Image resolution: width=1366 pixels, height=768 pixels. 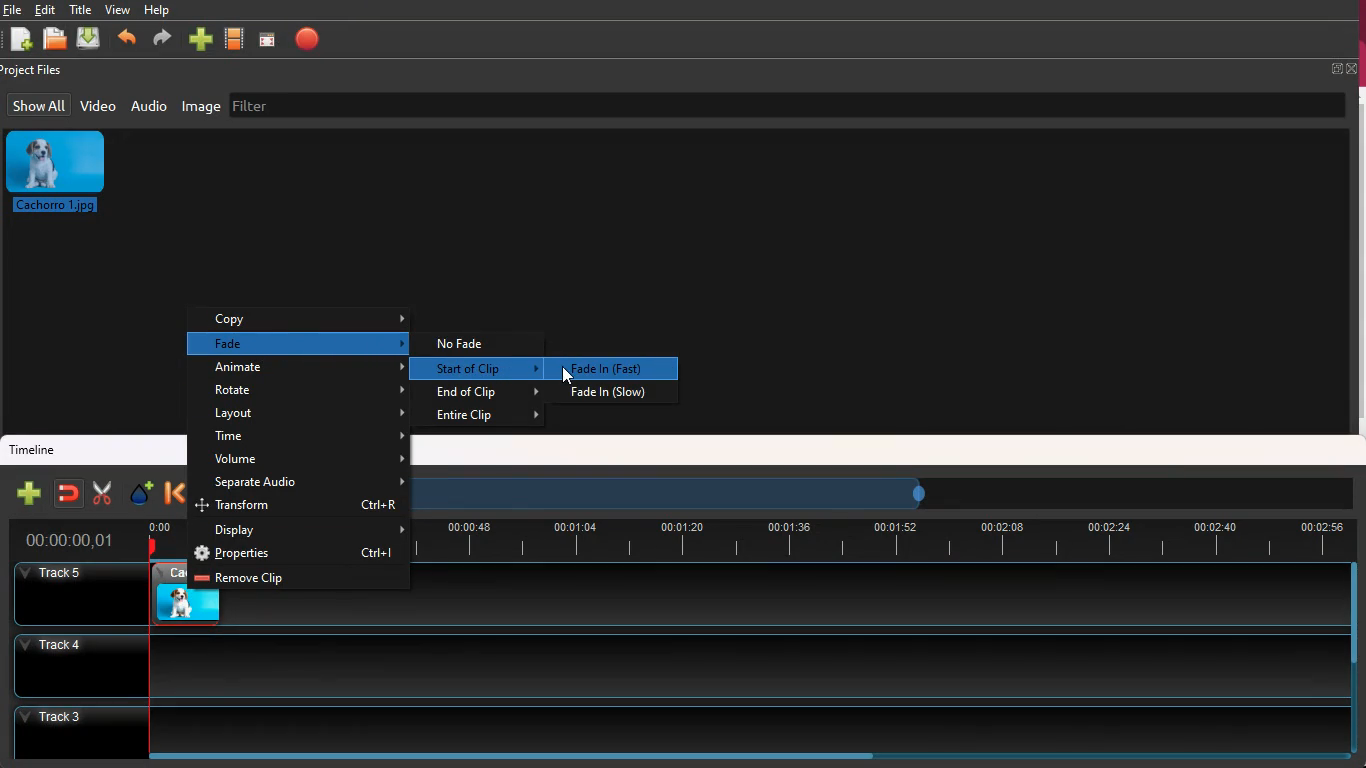 What do you see at coordinates (163, 40) in the screenshot?
I see `forward` at bounding box center [163, 40].